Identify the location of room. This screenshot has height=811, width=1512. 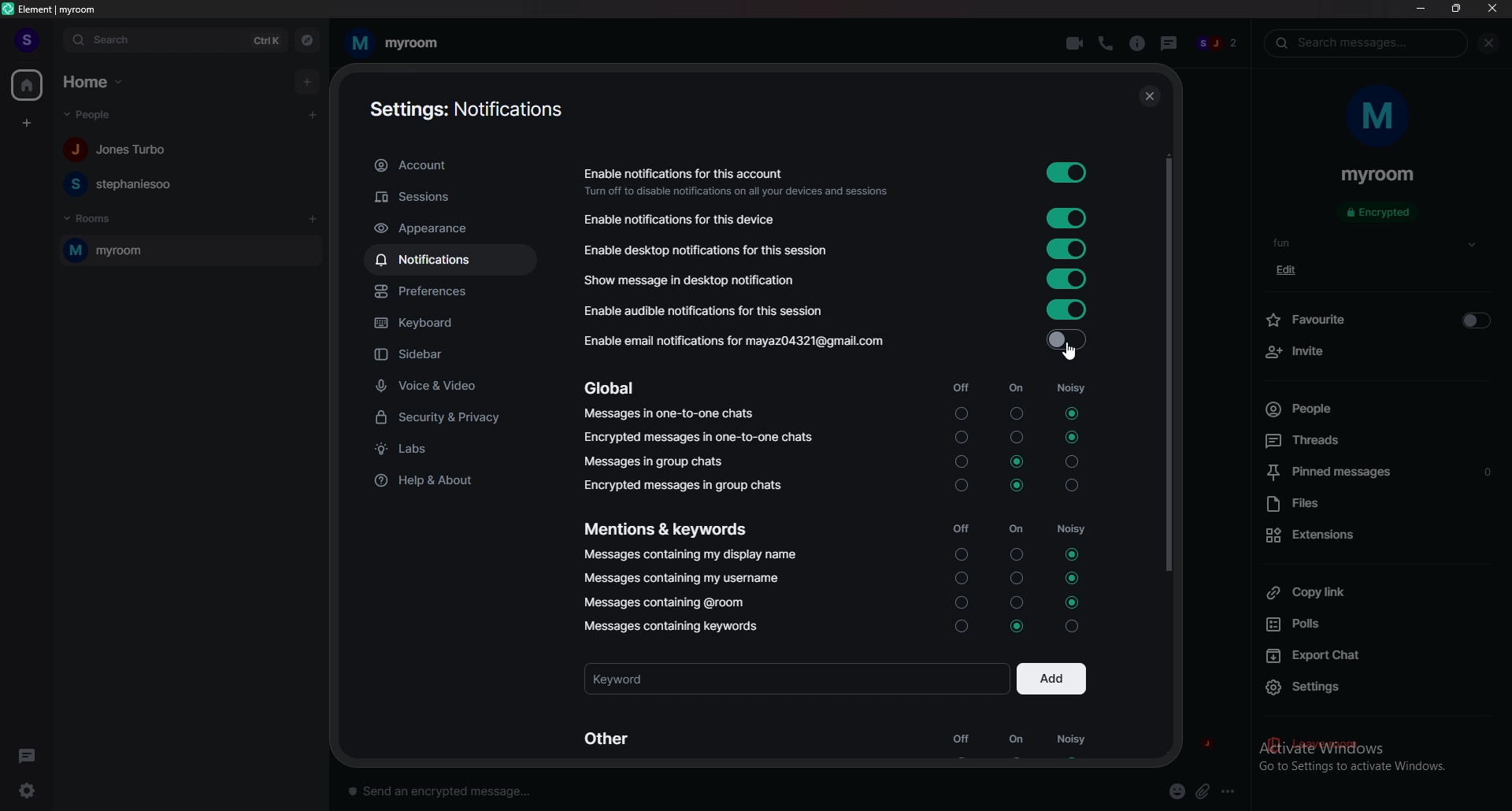
(190, 250).